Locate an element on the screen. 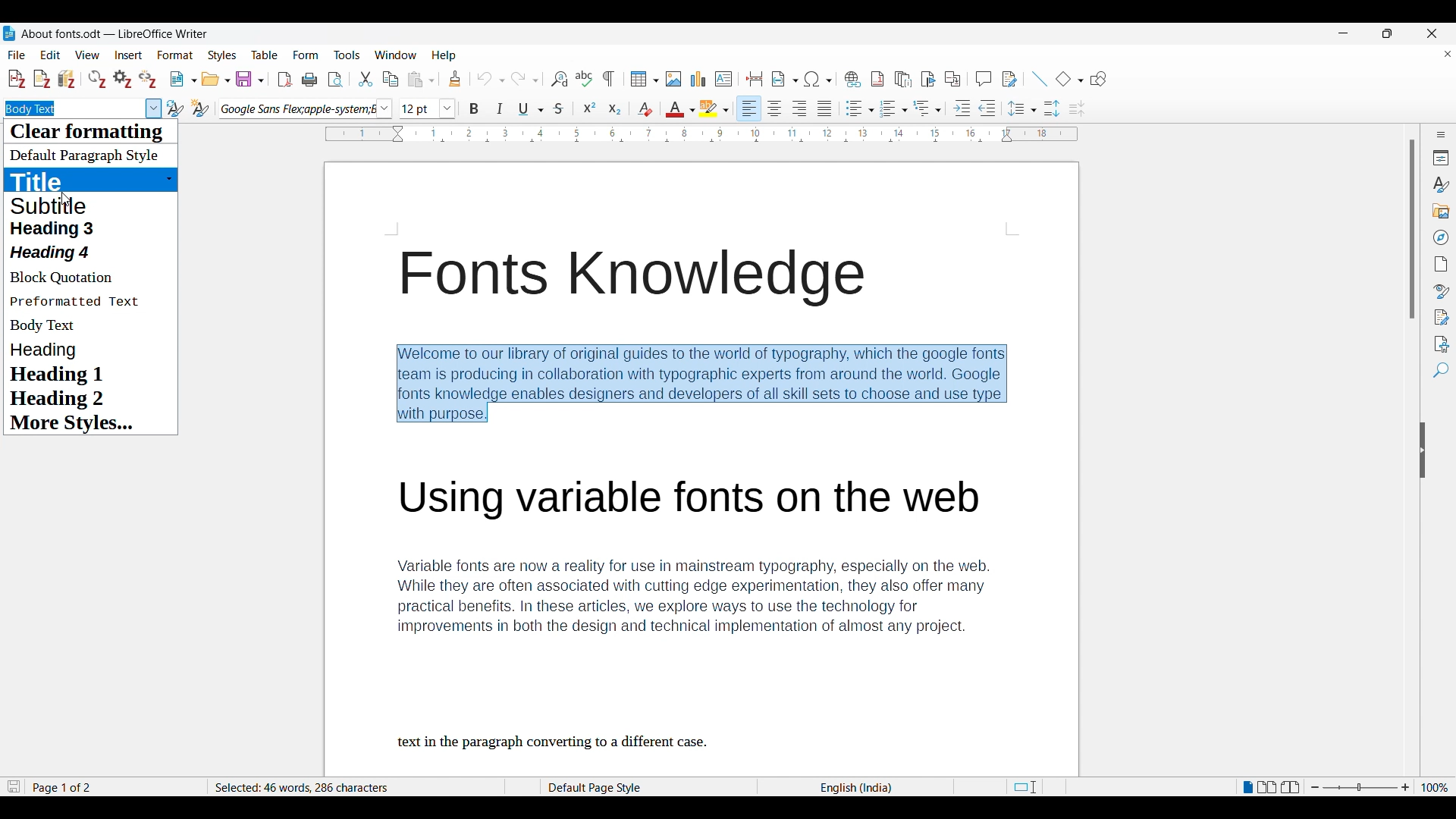  Styles is located at coordinates (1441, 184).